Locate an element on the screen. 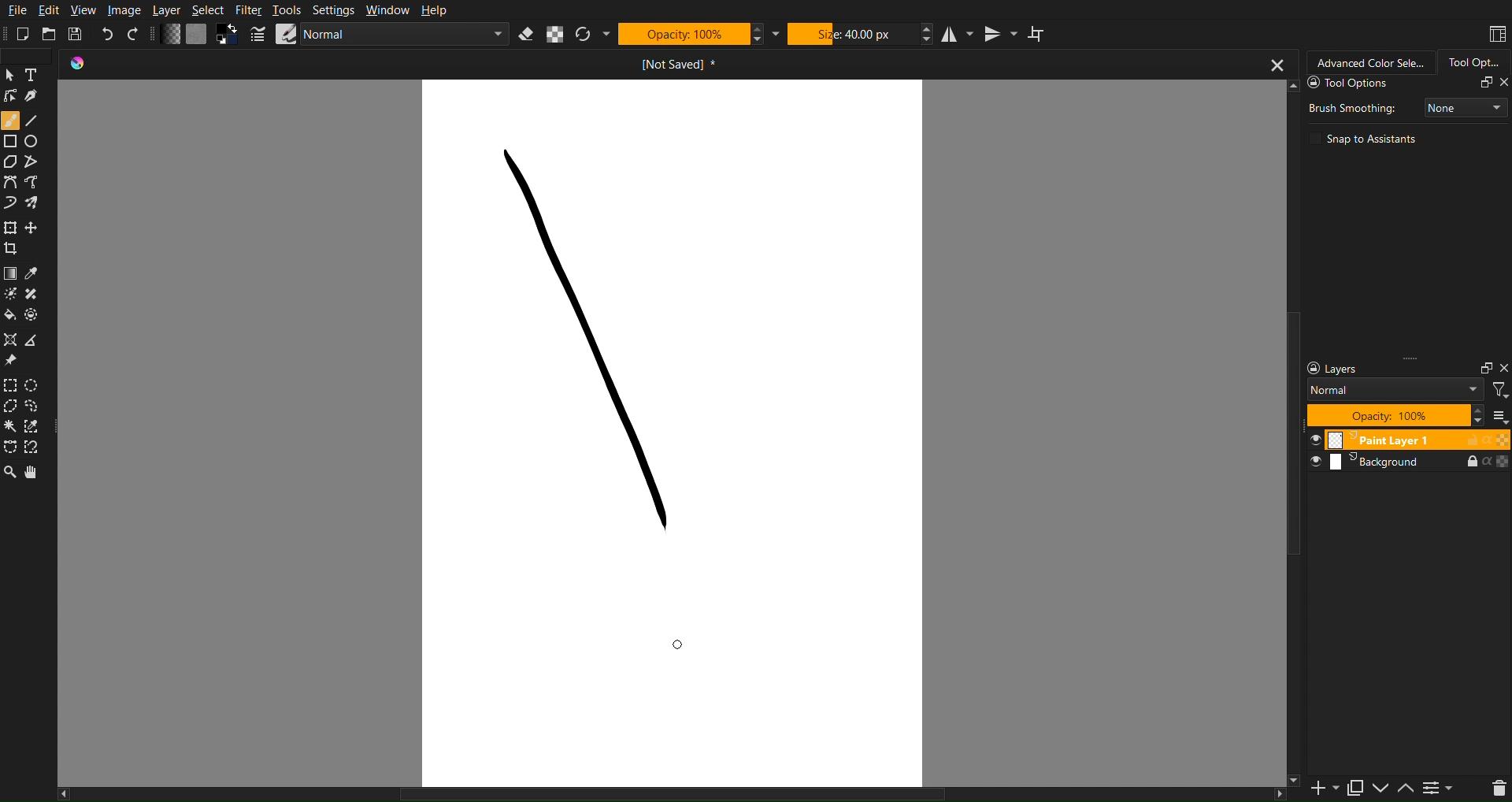 This screenshot has width=1512, height=802. Snap to Assistants is located at coordinates (1366, 138).